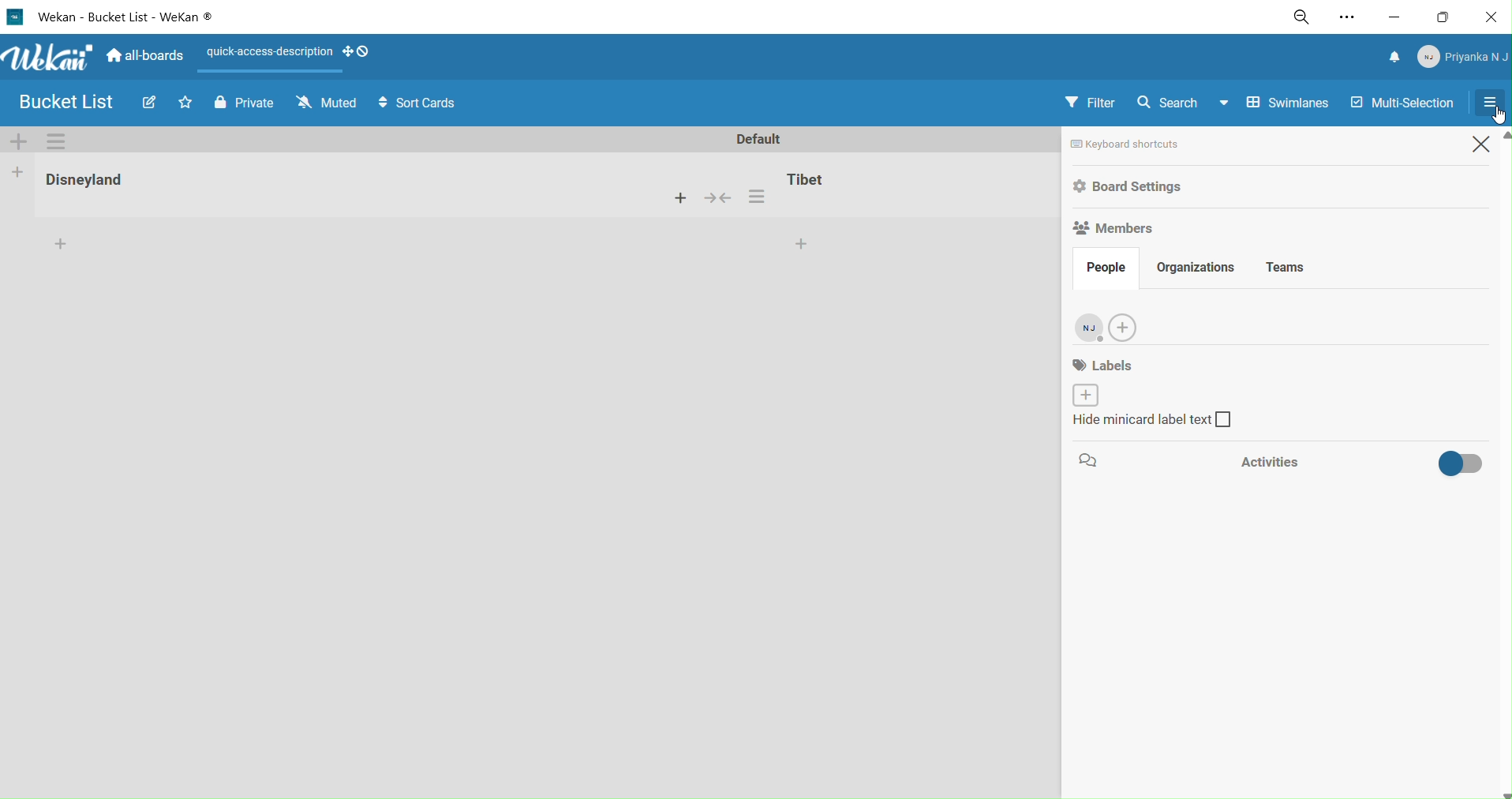 This screenshot has height=799, width=1512. I want to click on title, so click(137, 17).